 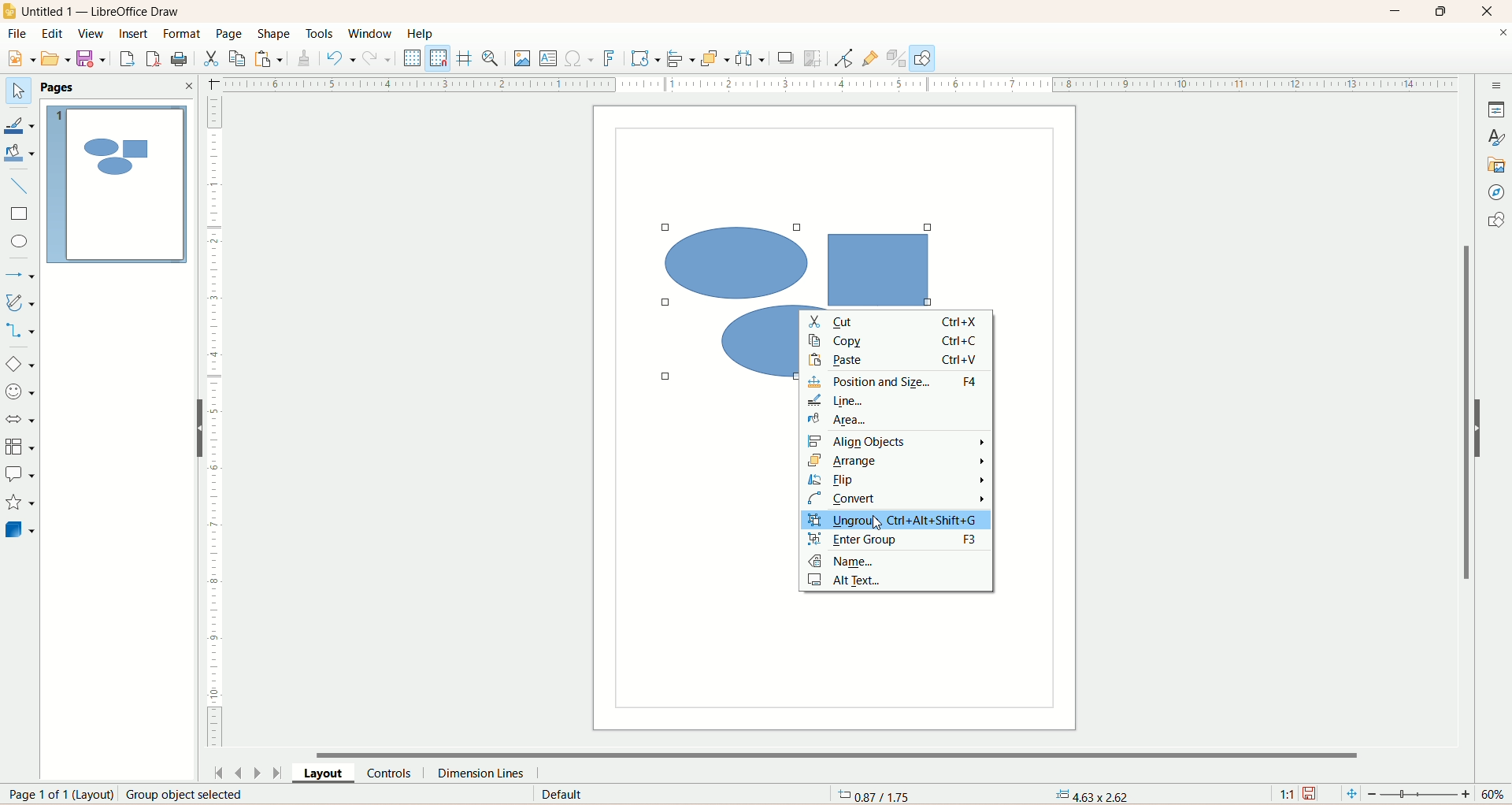 I want to click on next, so click(x=259, y=773).